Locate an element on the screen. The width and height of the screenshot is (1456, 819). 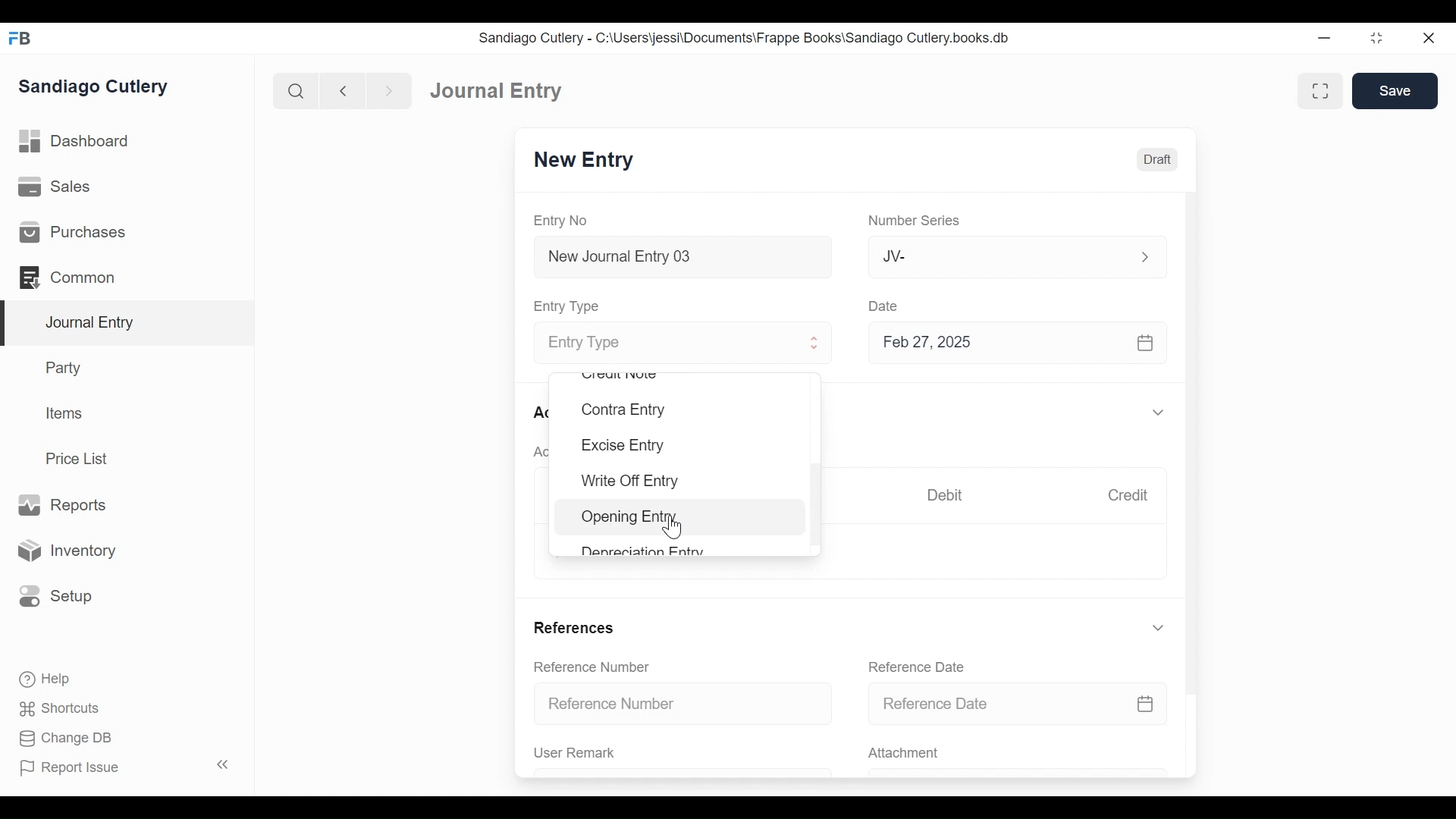
Shortcuts is located at coordinates (61, 711).